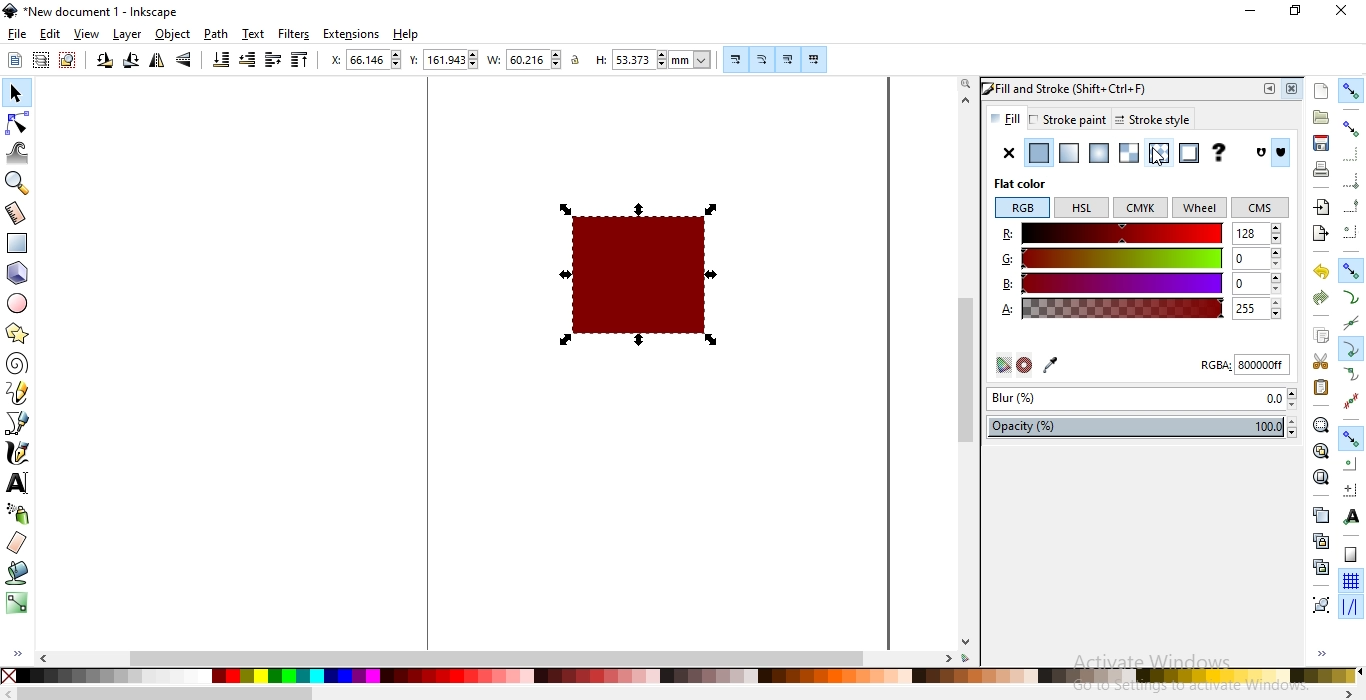 Image resolution: width=1366 pixels, height=700 pixels. I want to click on snap nodes, paths and handles, so click(1350, 439).